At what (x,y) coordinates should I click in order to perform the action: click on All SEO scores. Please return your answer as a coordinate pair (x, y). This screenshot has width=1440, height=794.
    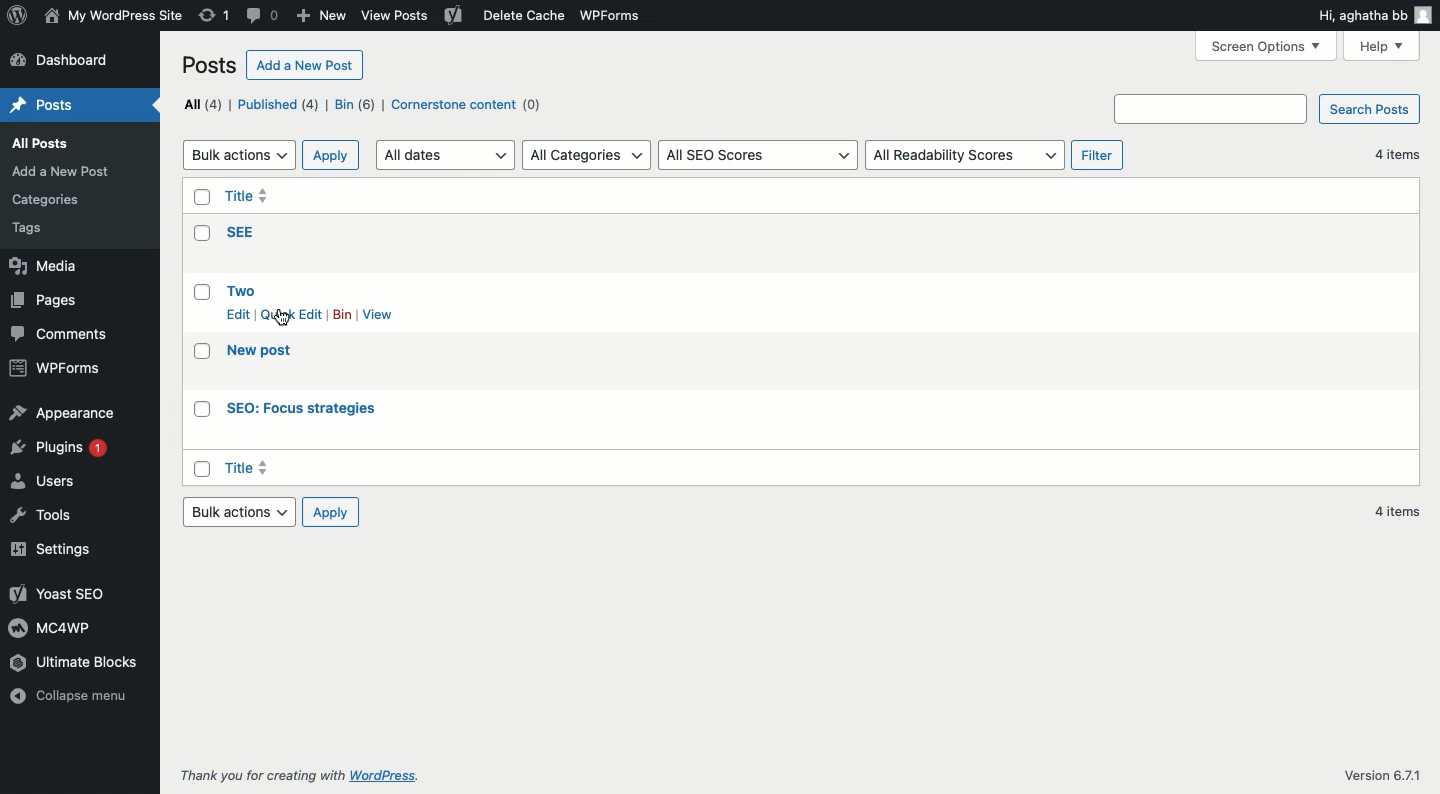
    Looking at the image, I should click on (758, 155).